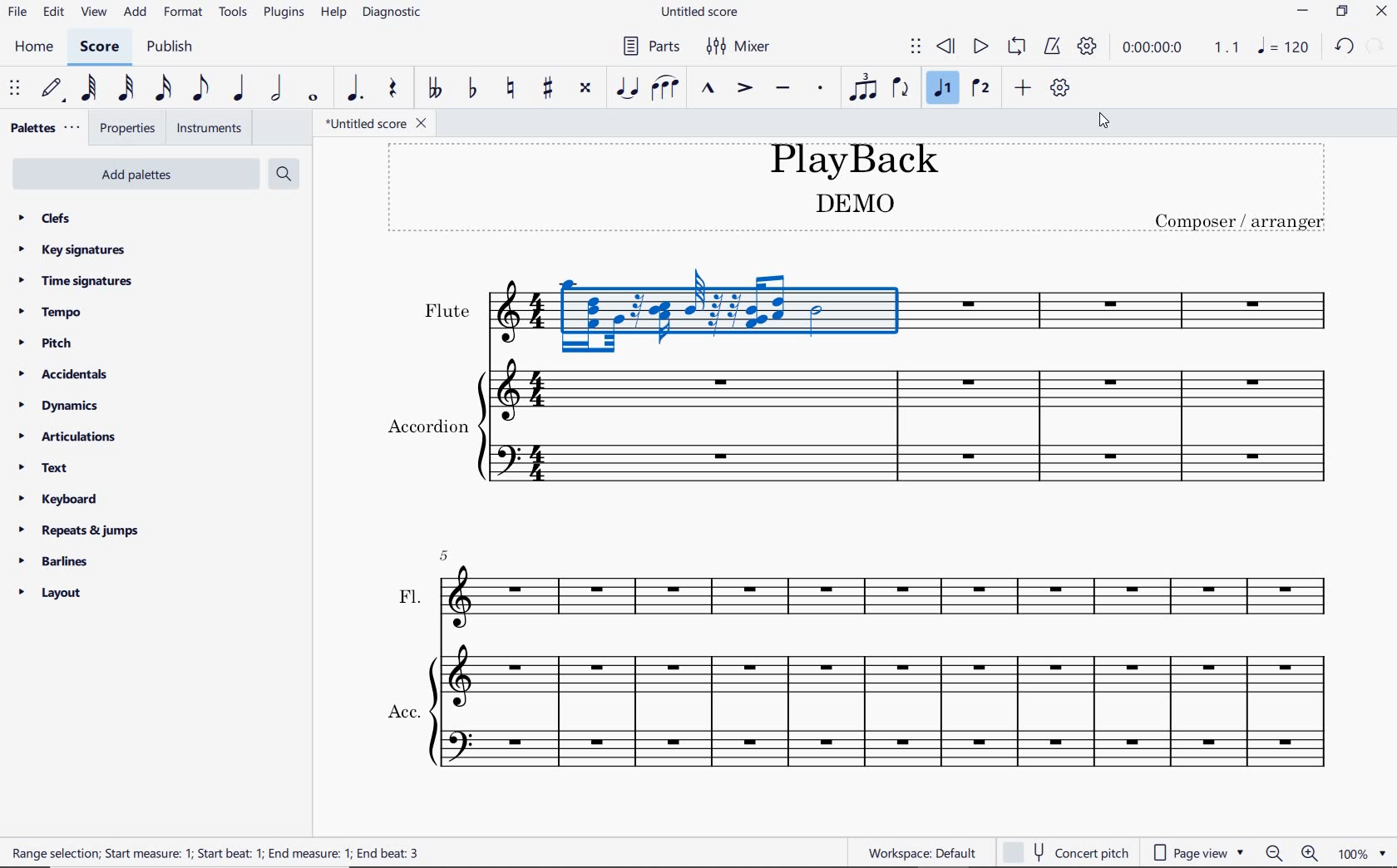 The width and height of the screenshot is (1397, 868). What do you see at coordinates (1090, 47) in the screenshot?
I see `playback settings` at bounding box center [1090, 47].